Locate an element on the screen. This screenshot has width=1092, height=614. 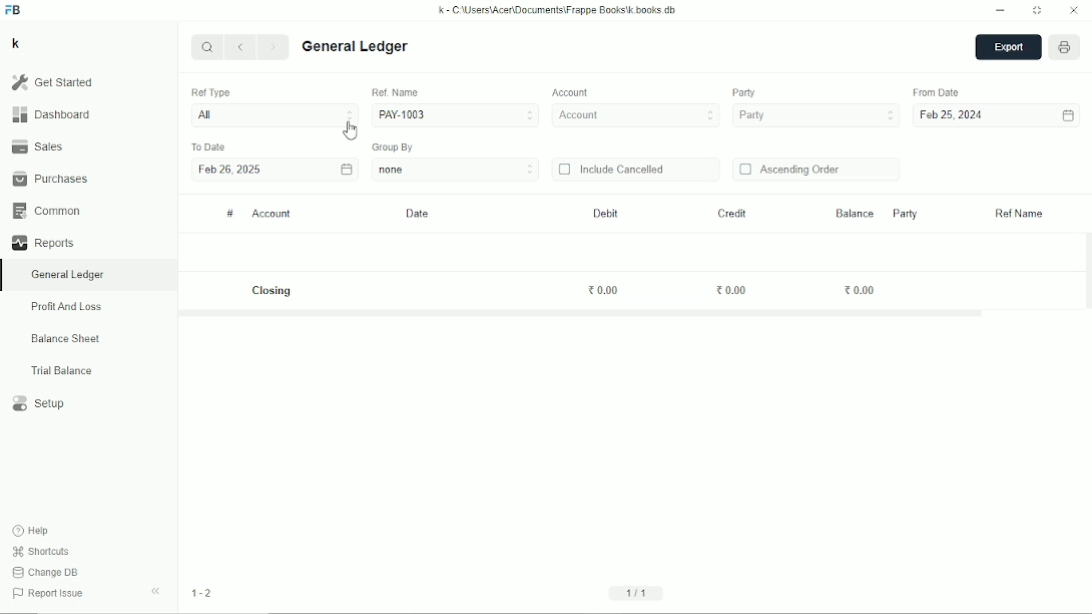
1-2 is located at coordinates (202, 593).